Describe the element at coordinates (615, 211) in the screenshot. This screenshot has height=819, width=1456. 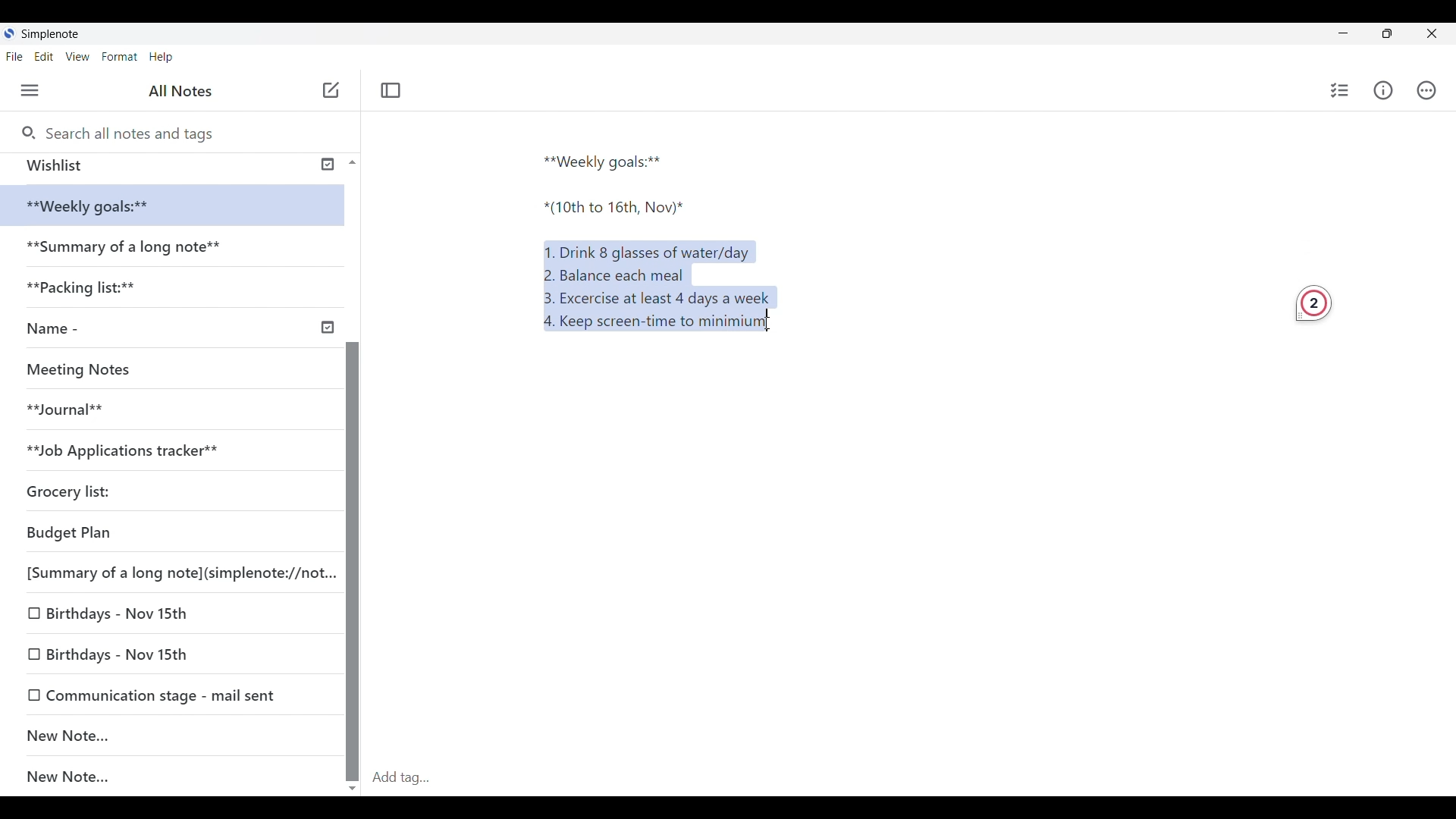
I see `*(10th to 16th, Nov)*` at that location.